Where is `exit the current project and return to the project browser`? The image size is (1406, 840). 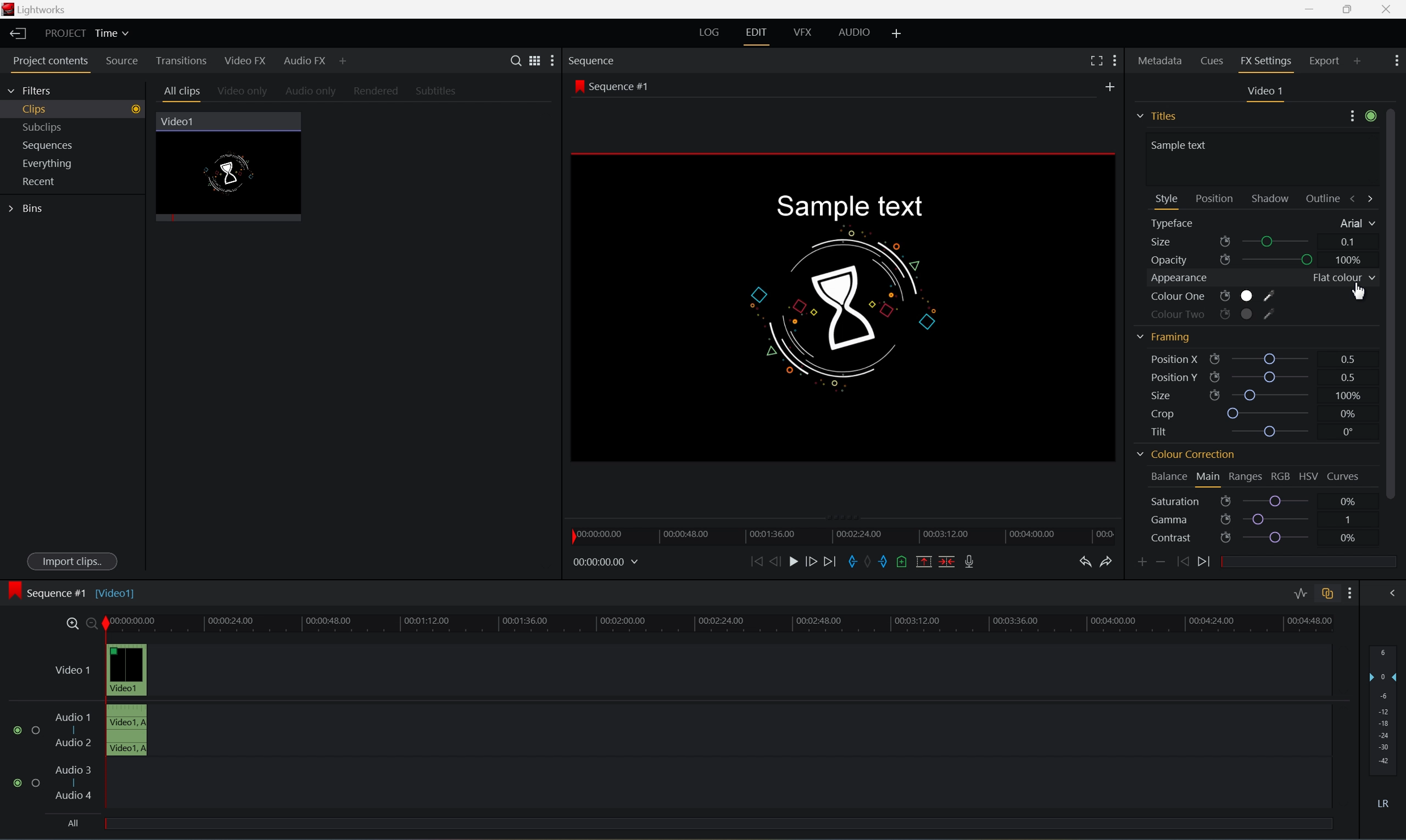 exit the current project and return to the project browser is located at coordinates (19, 33).